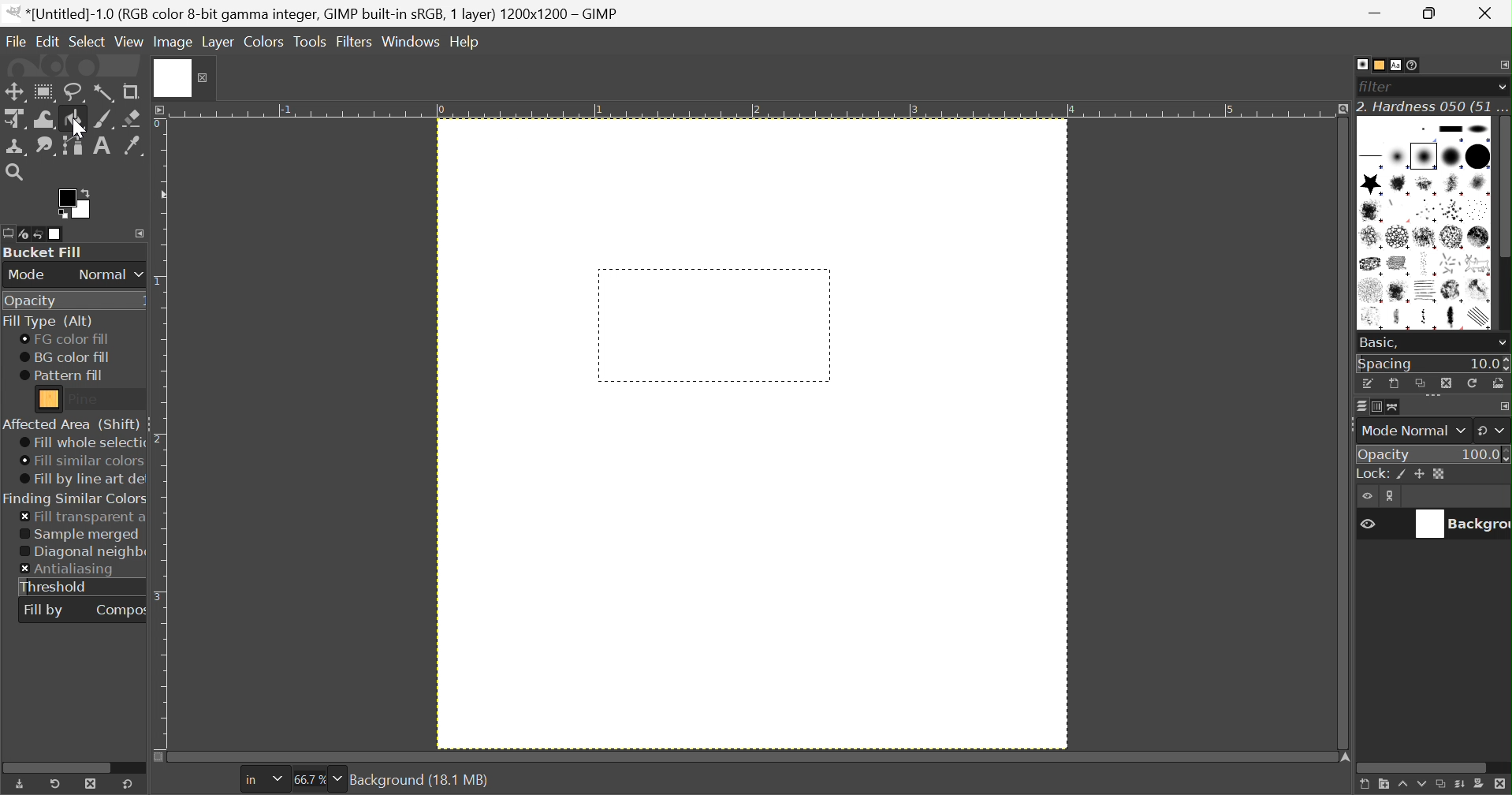 Image resolution: width=1512 pixels, height=795 pixels. I want to click on Close, so click(1489, 13).